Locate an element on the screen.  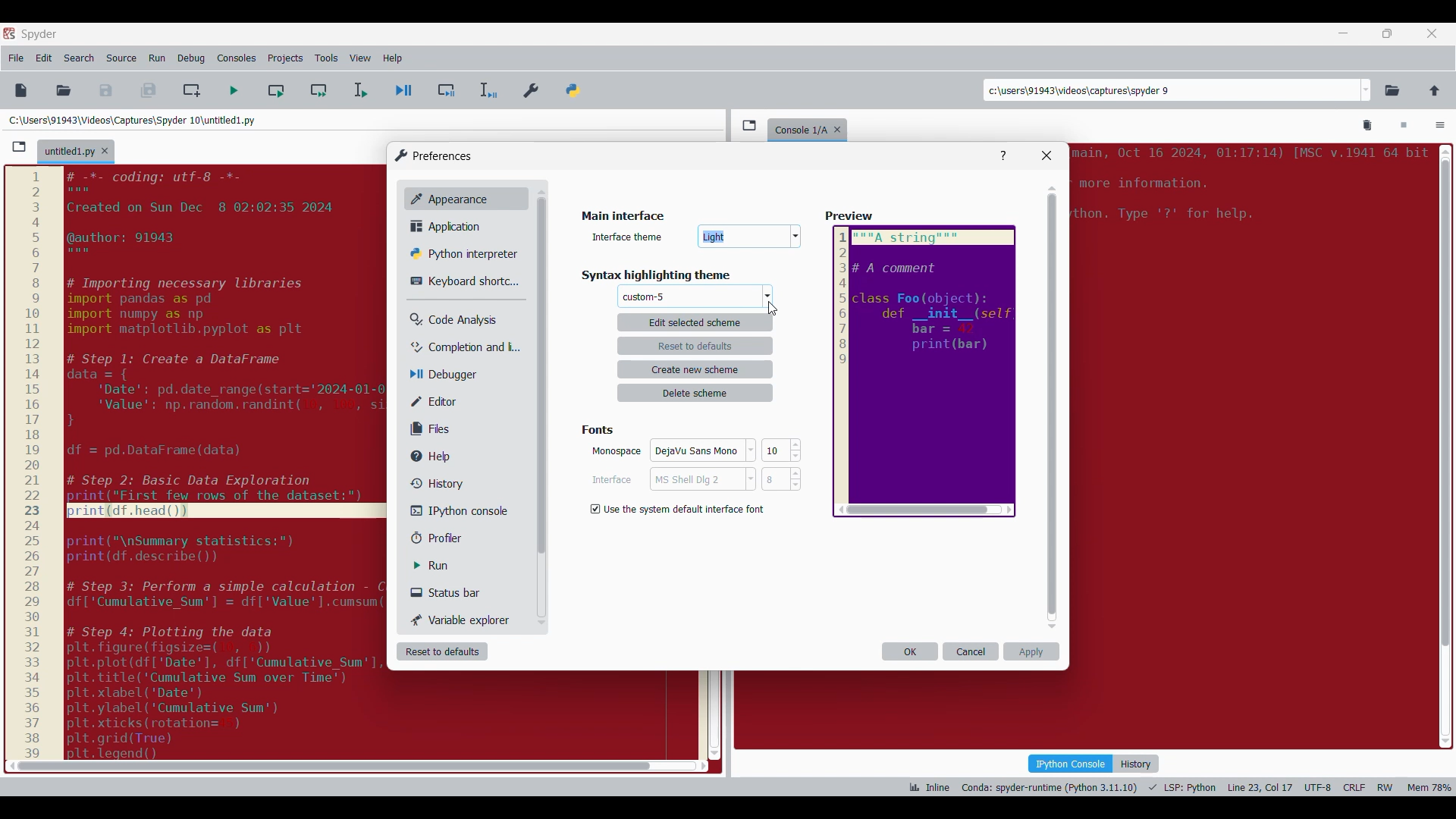
View menu is located at coordinates (360, 58).